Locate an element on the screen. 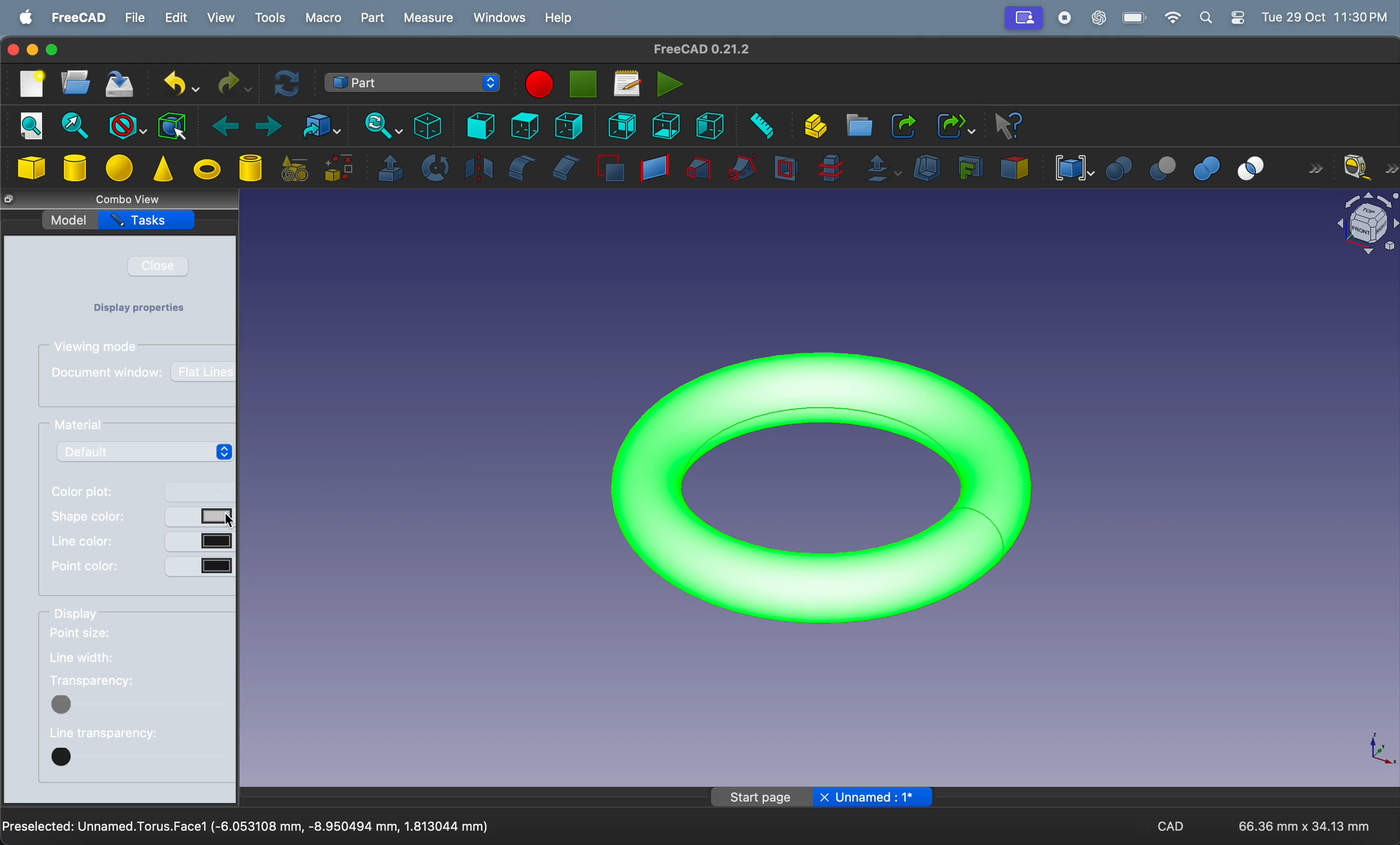 The width and height of the screenshot is (1400, 845). fit all is located at coordinates (30, 125).